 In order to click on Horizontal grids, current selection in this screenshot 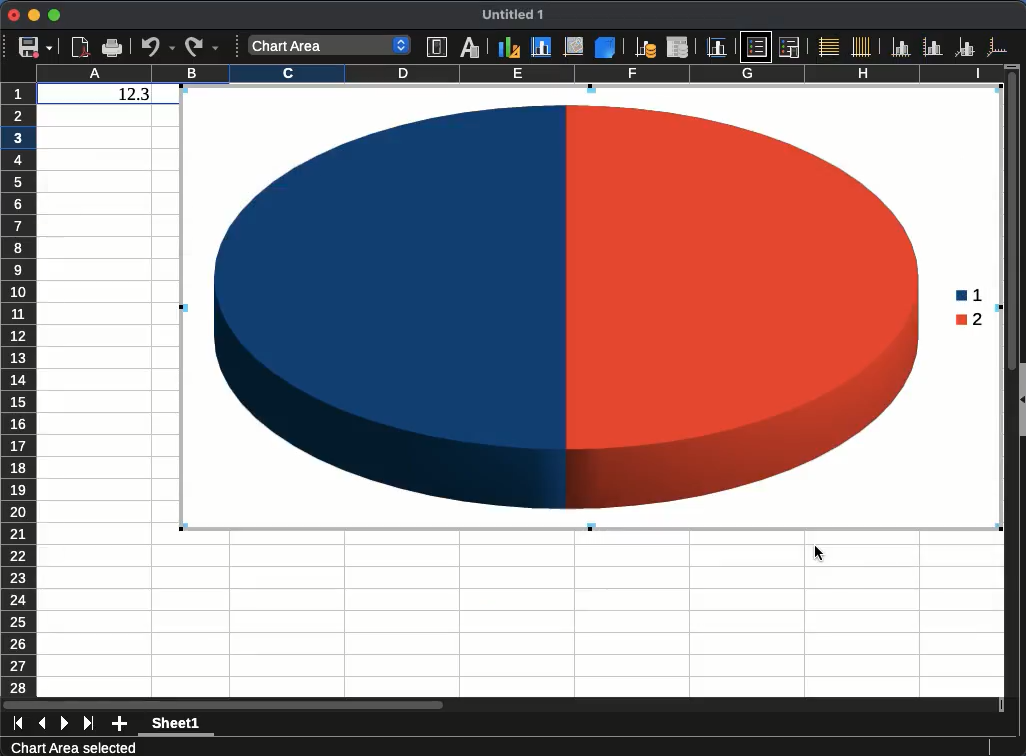, I will do `click(828, 46)`.